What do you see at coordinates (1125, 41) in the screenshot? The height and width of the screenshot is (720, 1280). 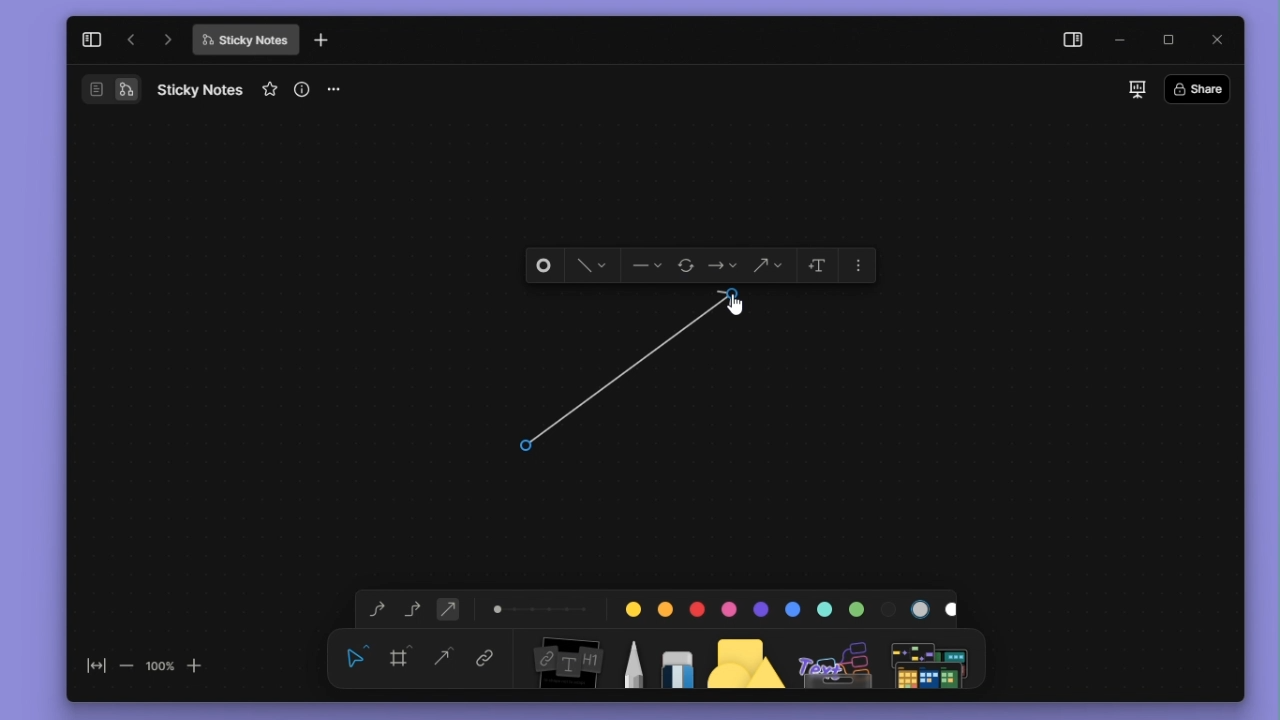 I see `minimize` at bounding box center [1125, 41].